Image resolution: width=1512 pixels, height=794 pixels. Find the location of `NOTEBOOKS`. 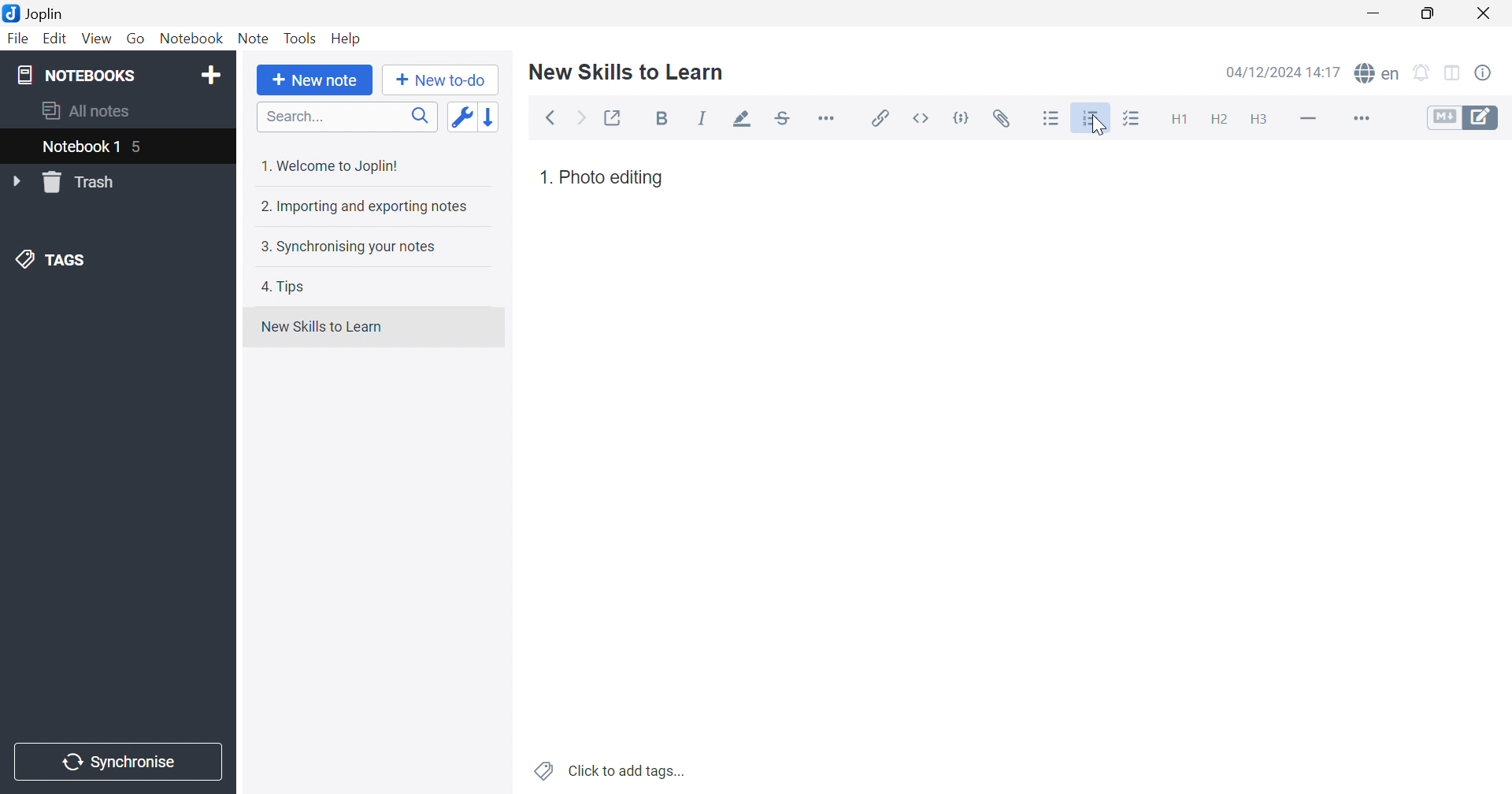

NOTEBOOKS is located at coordinates (75, 74).